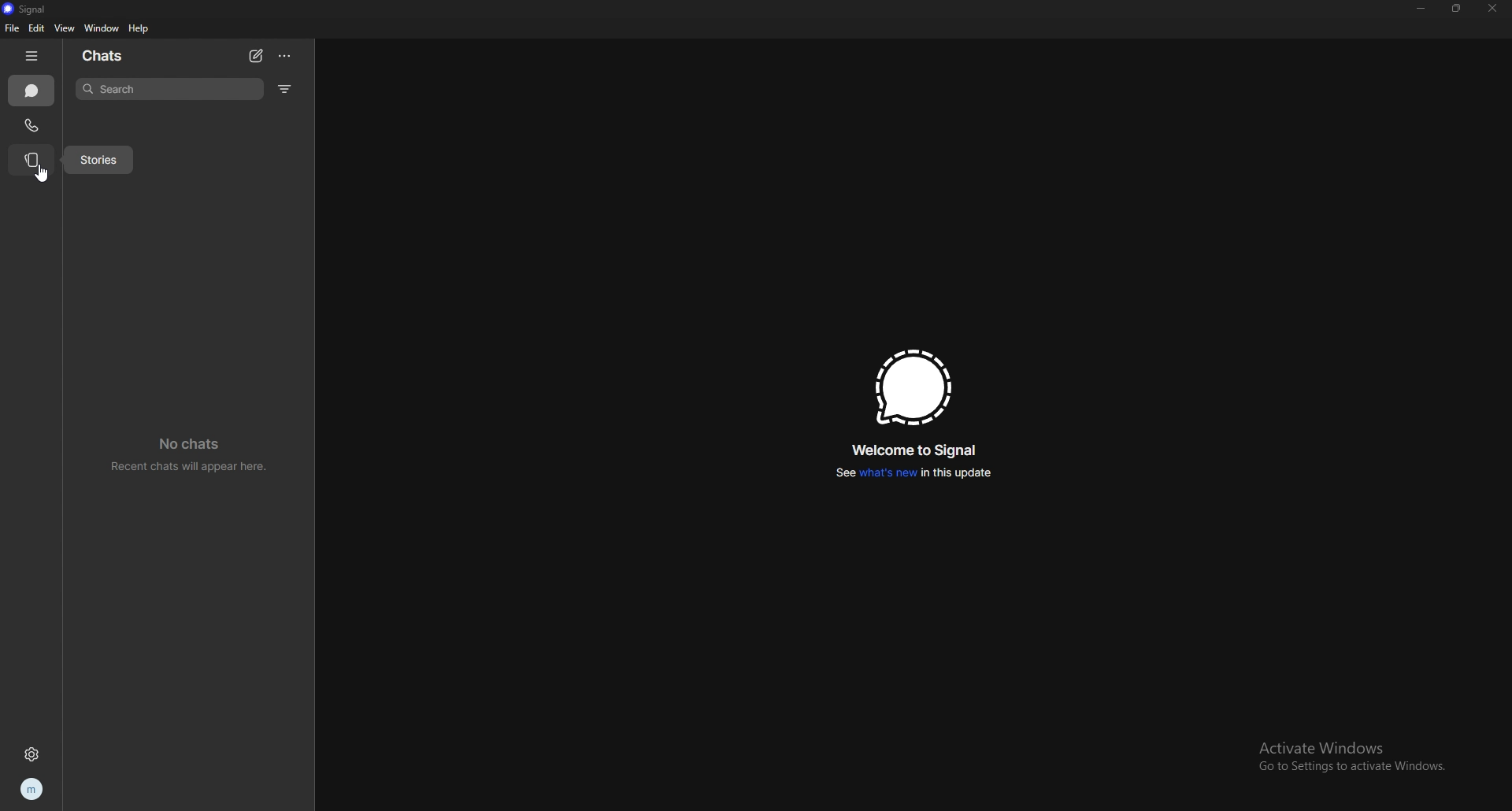 Image resolution: width=1512 pixels, height=811 pixels. Describe the element at coordinates (913, 449) in the screenshot. I see `welcome to signal` at that location.